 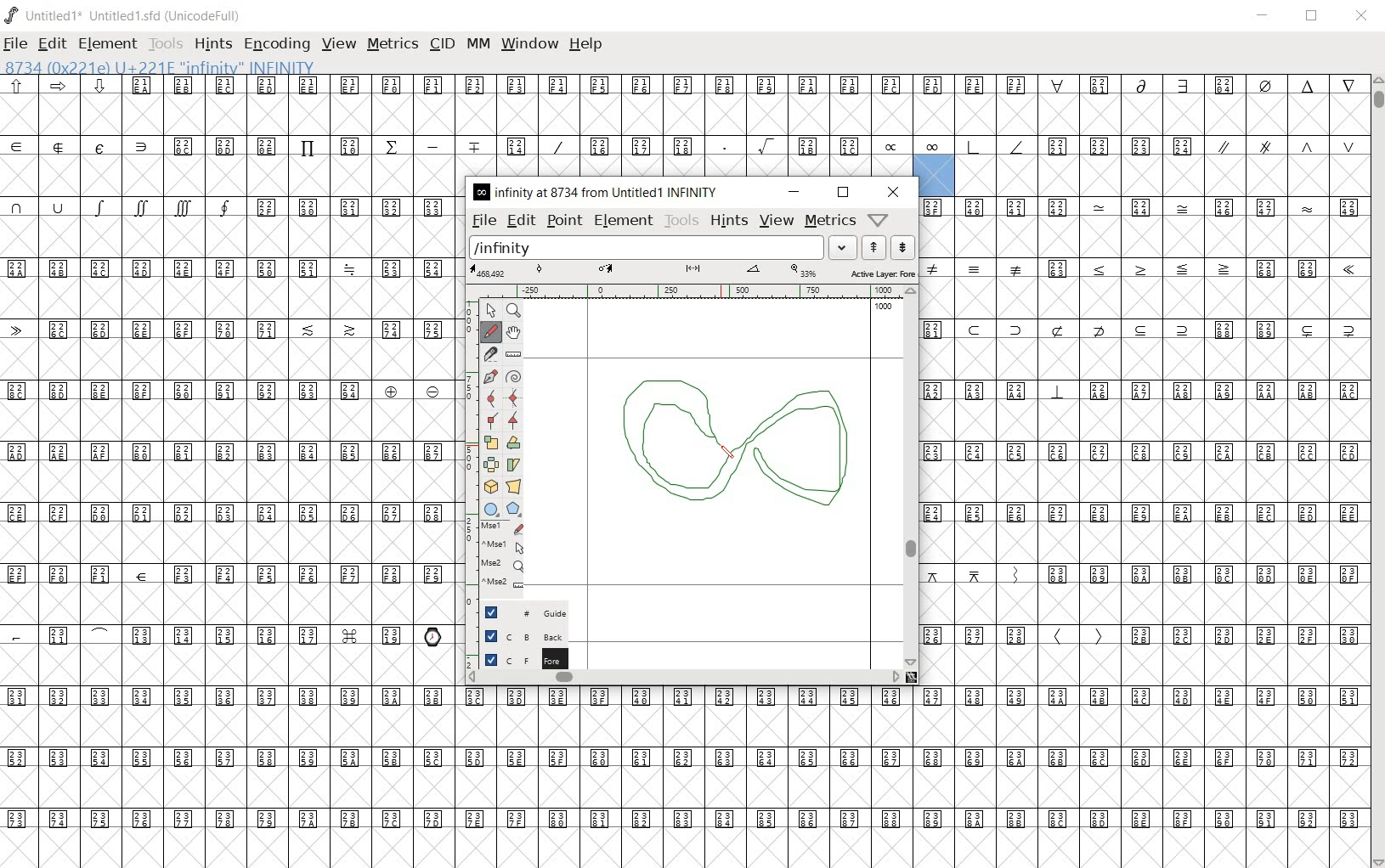 I want to click on empty glyph slots, so click(x=1162, y=176).